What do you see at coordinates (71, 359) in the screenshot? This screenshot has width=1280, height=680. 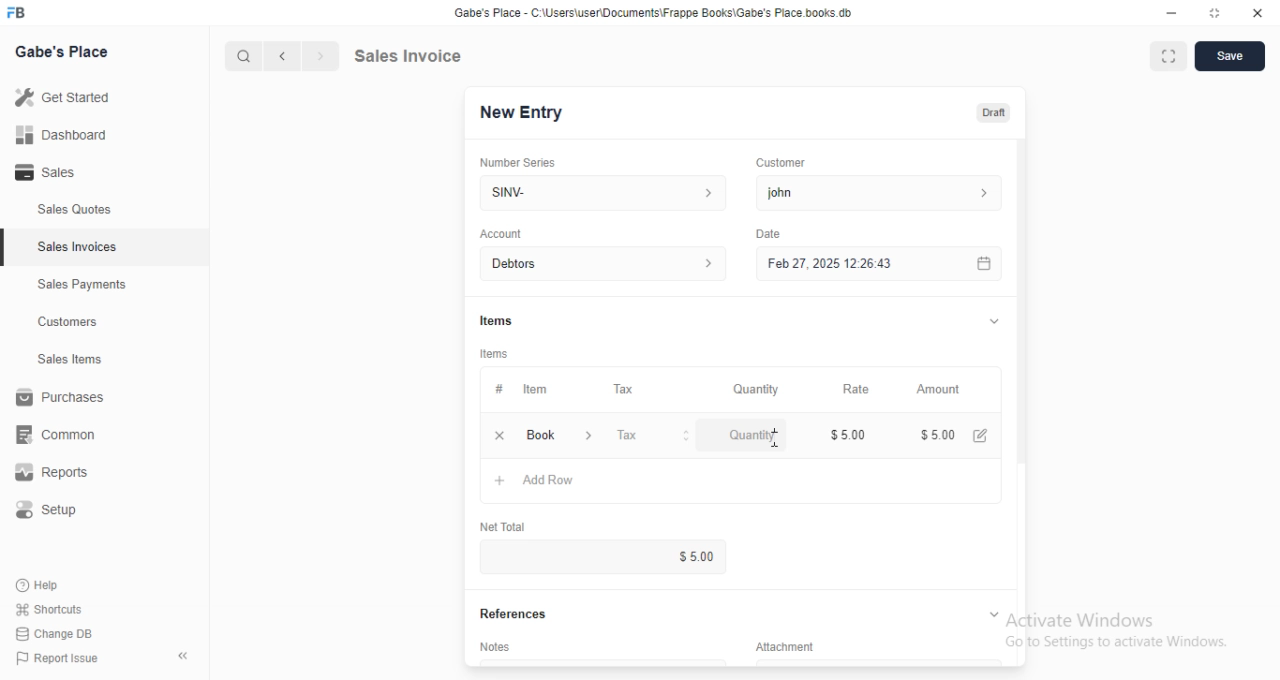 I see `Sales tems` at bounding box center [71, 359].